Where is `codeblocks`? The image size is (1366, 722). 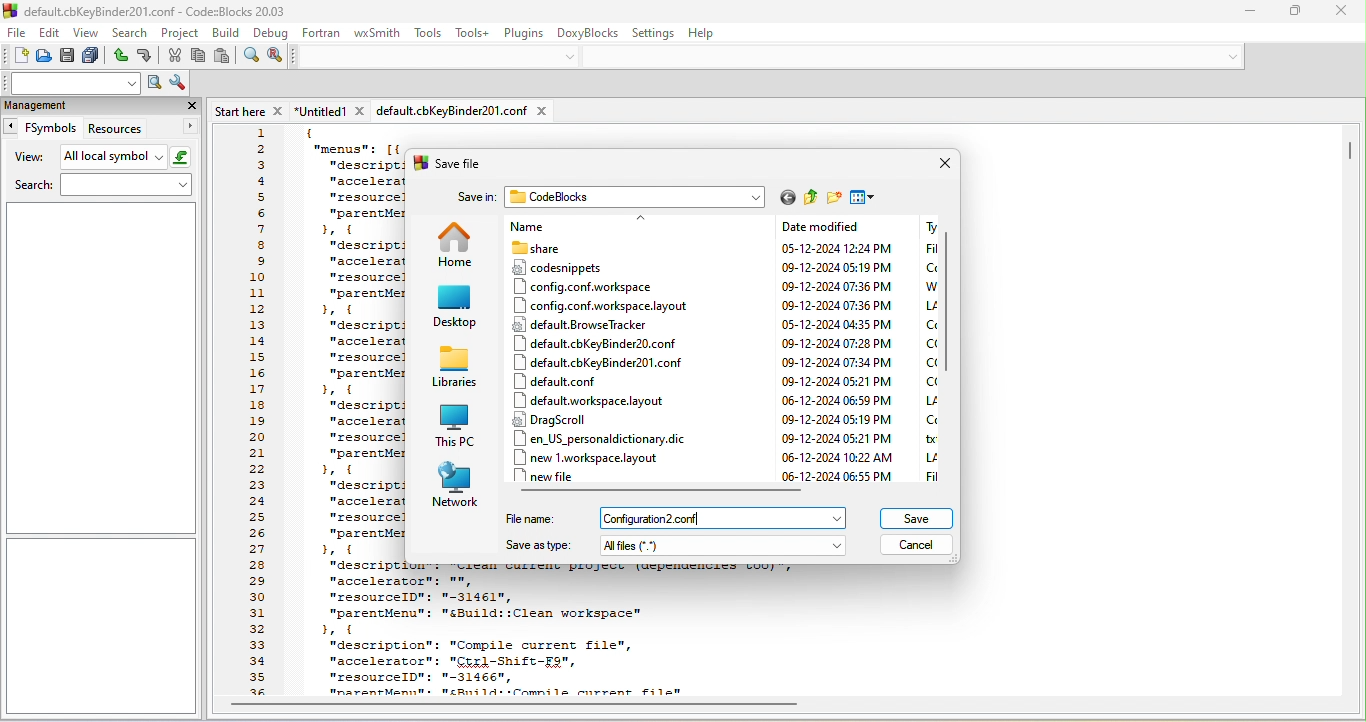 codeblocks is located at coordinates (637, 197).